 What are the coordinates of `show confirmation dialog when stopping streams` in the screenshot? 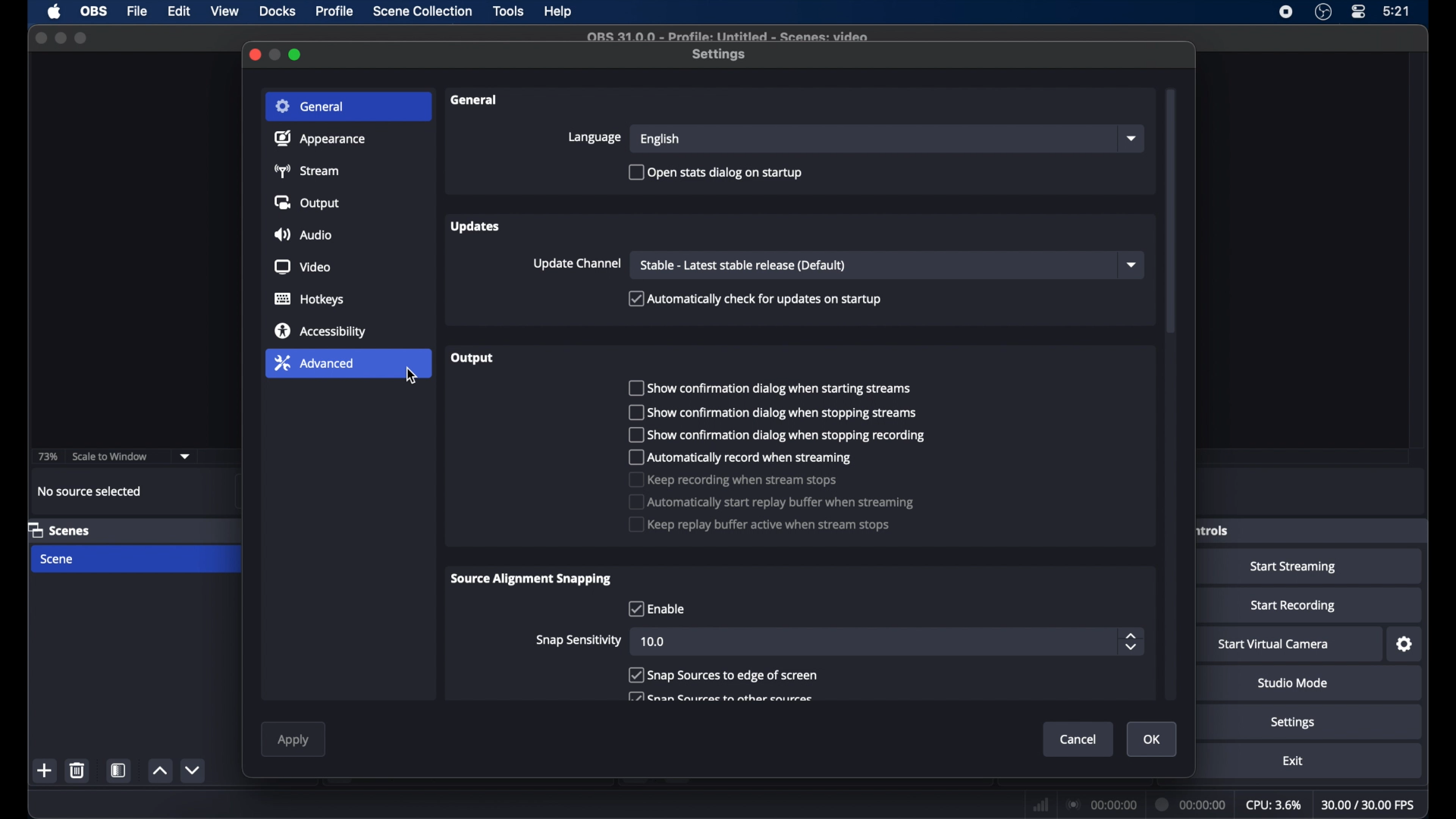 It's located at (768, 413).